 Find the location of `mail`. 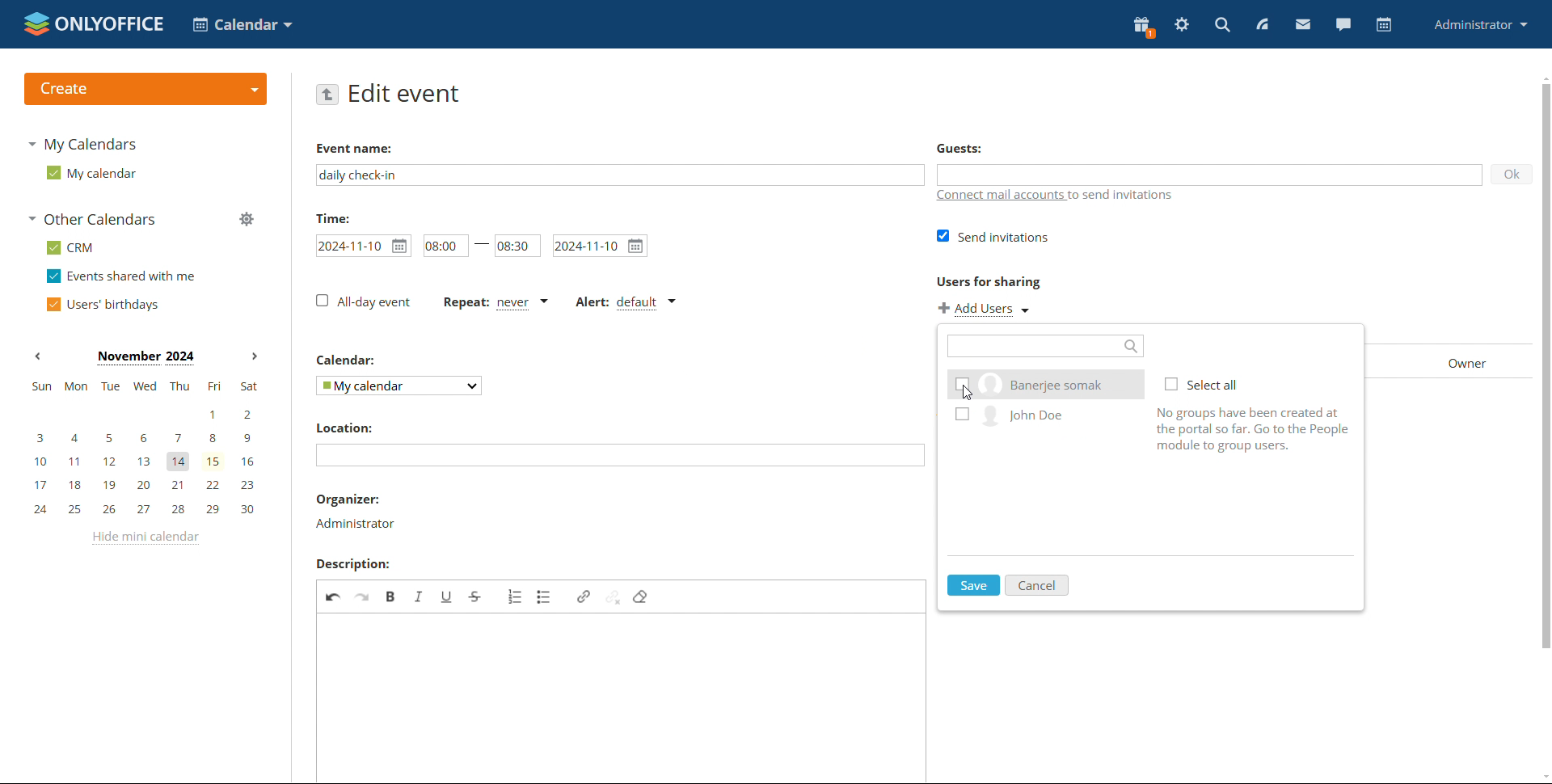

mail is located at coordinates (1303, 23).